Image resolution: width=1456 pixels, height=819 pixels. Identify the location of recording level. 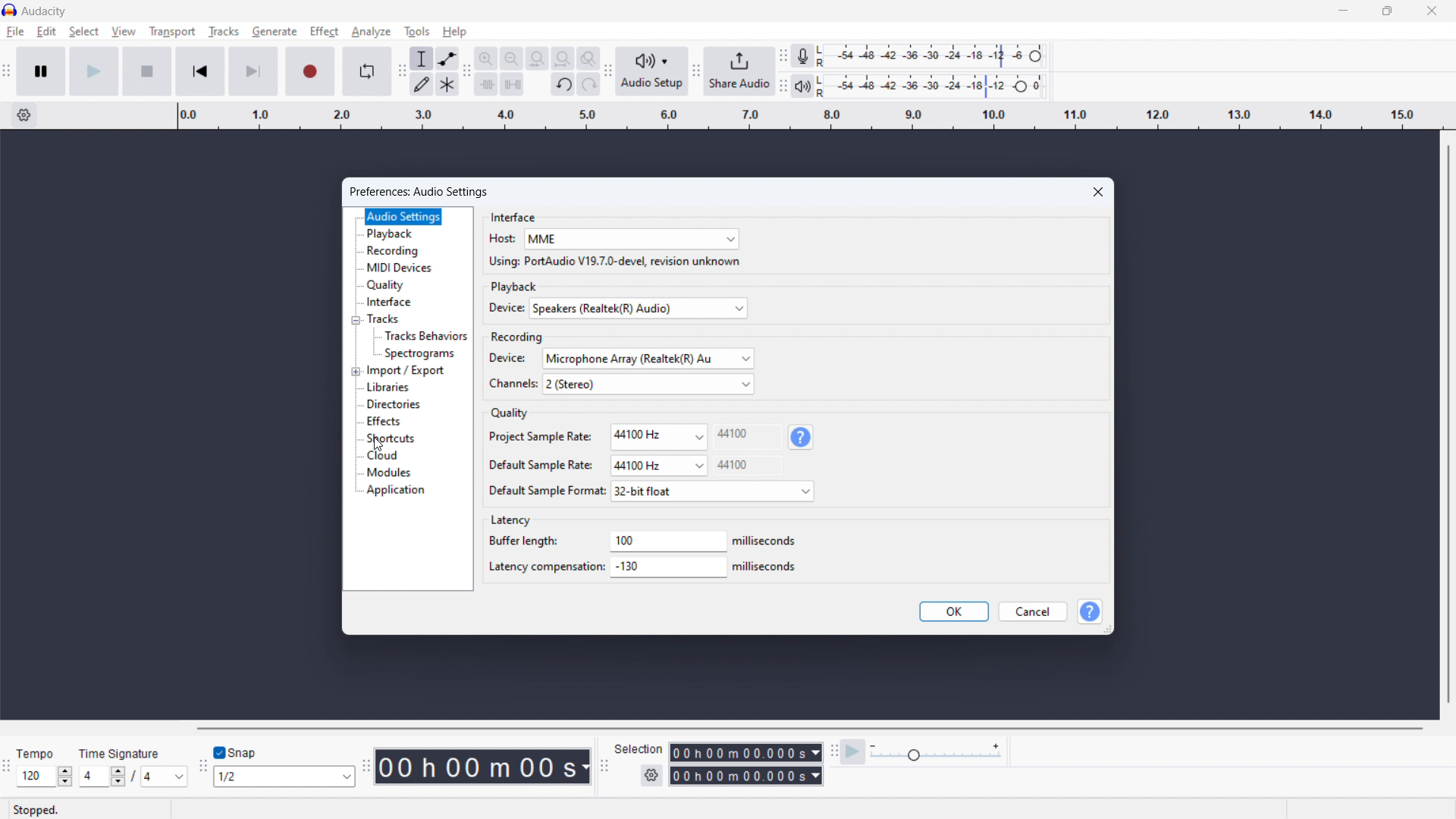
(919, 56).